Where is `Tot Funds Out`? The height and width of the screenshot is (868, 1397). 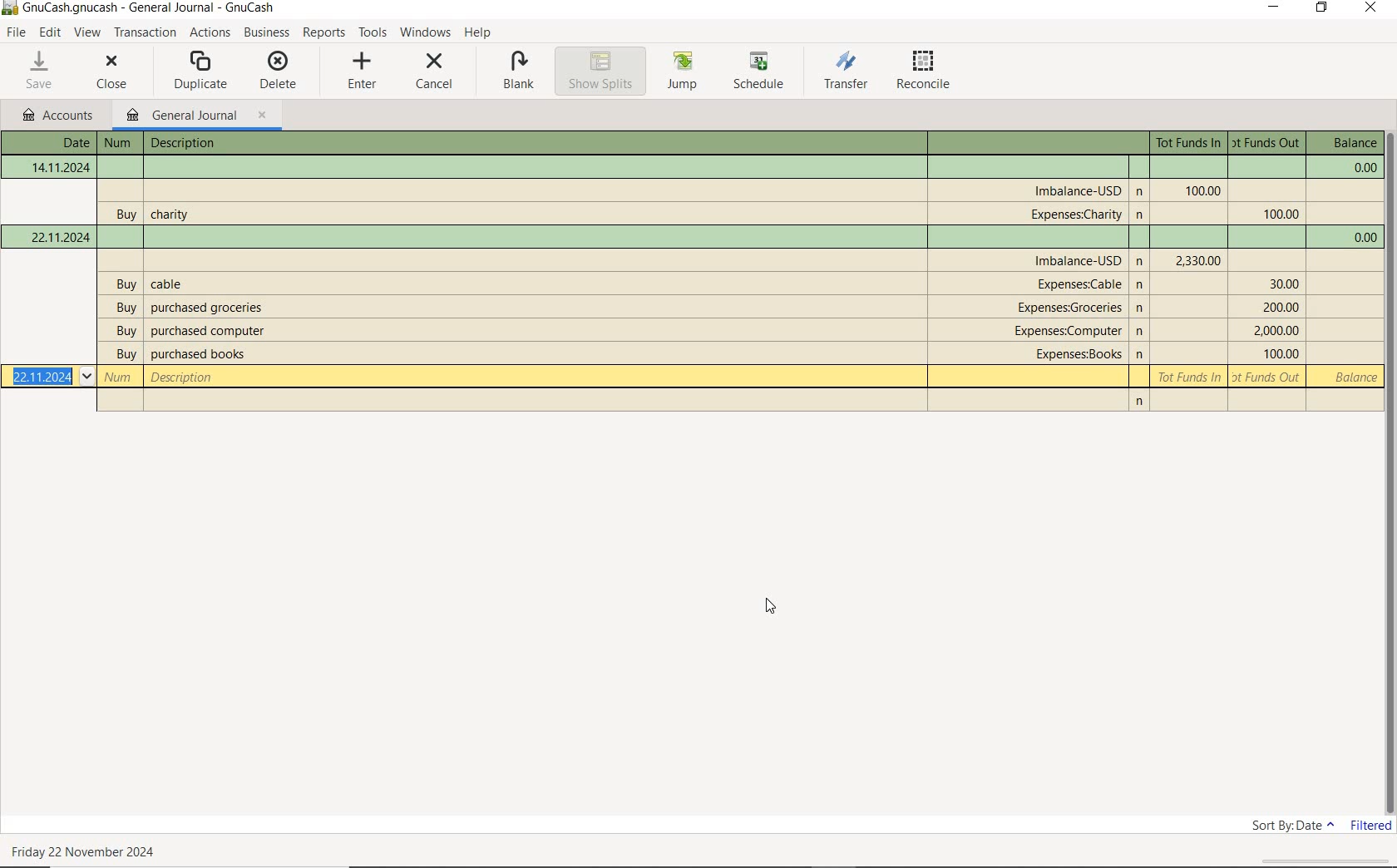 Tot Funds Out is located at coordinates (1268, 377).